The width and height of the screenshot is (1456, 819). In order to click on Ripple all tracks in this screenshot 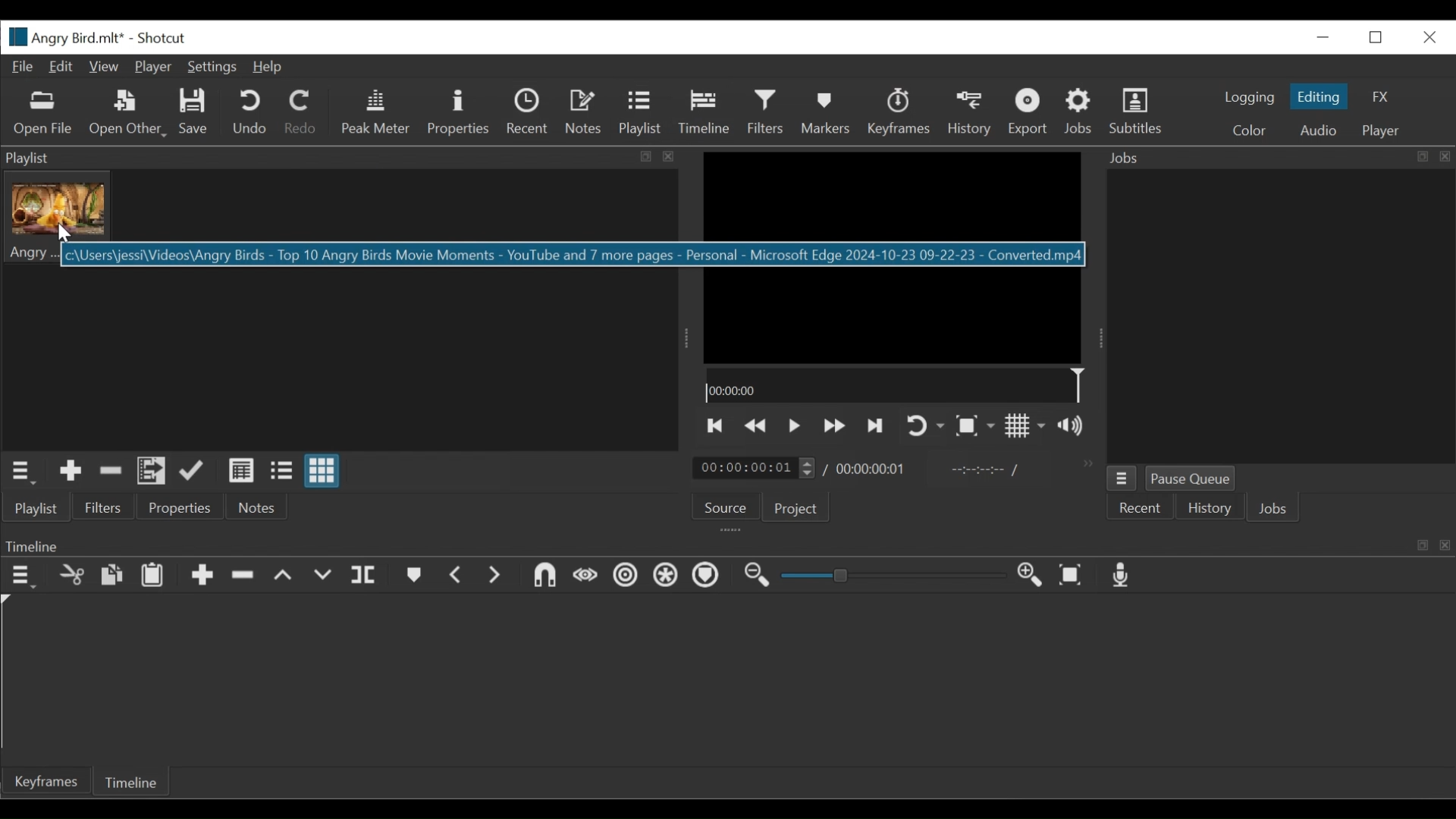, I will do `click(667, 576)`.